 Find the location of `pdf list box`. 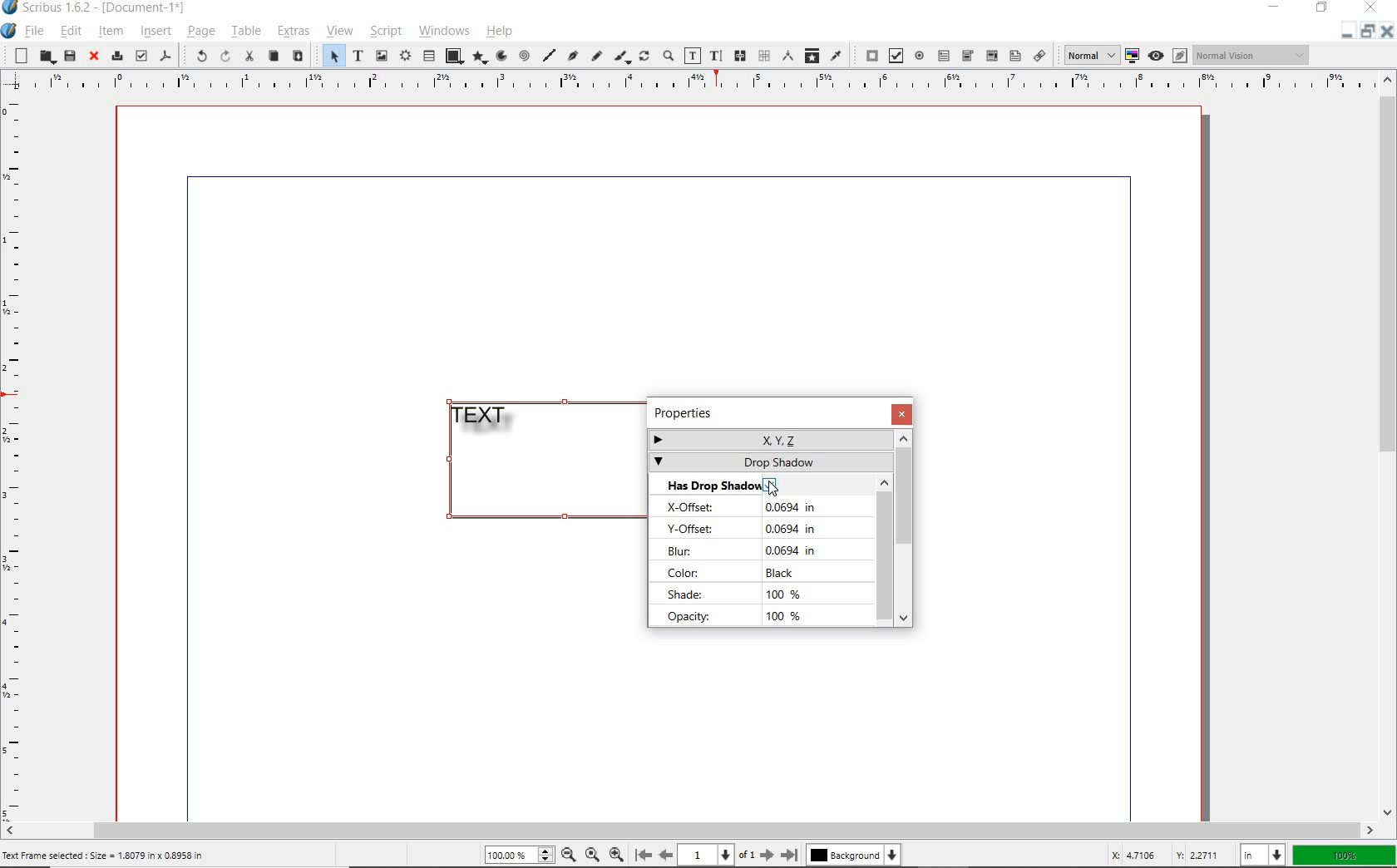

pdf list box is located at coordinates (1014, 56).